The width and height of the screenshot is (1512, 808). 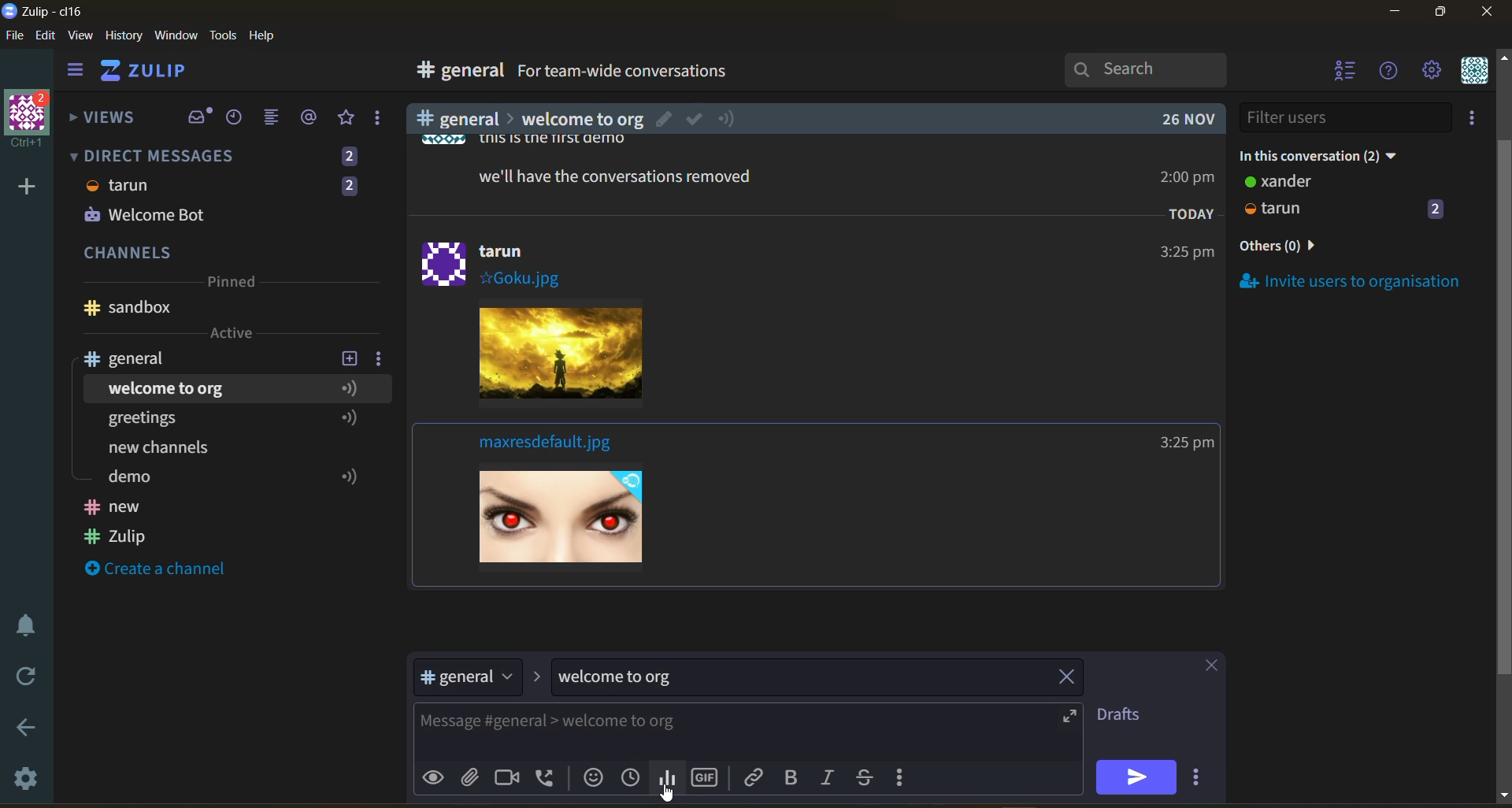 What do you see at coordinates (154, 75) in the screenshot?
I see `home view` at bounding box center [154, 75].